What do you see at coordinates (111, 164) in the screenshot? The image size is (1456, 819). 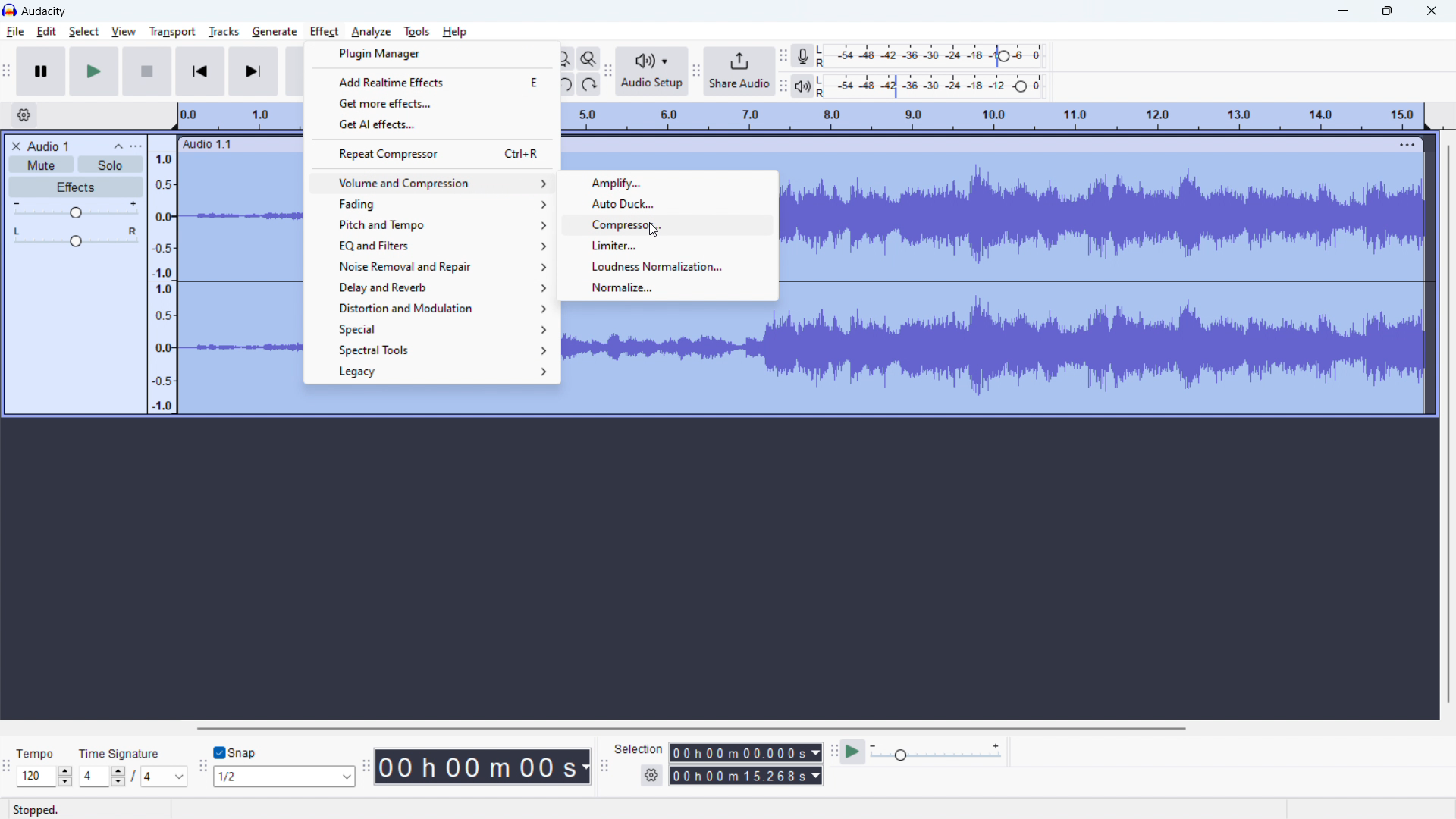 I see `solo` at bounding box center [111, 164].